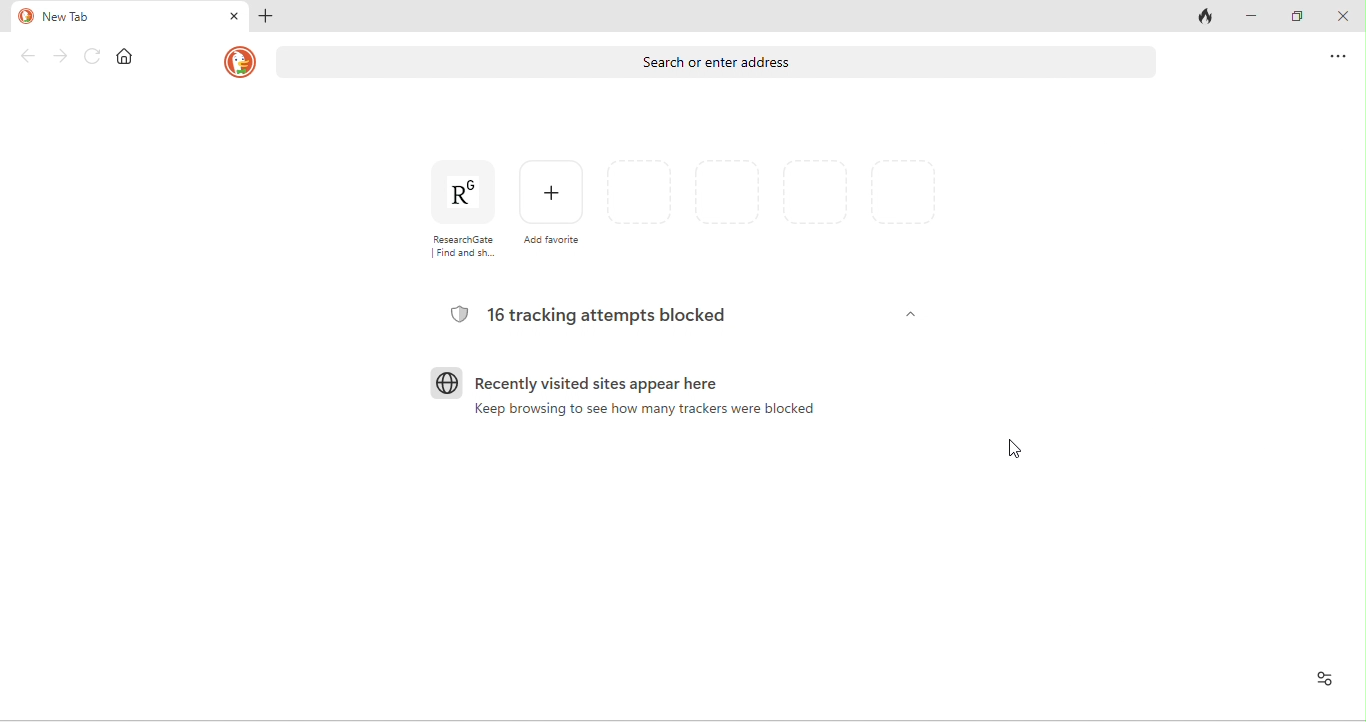  What do you see at coordinates (1333, 55) in the screenshot?
I see `options` at bounding box center [1333, 55].